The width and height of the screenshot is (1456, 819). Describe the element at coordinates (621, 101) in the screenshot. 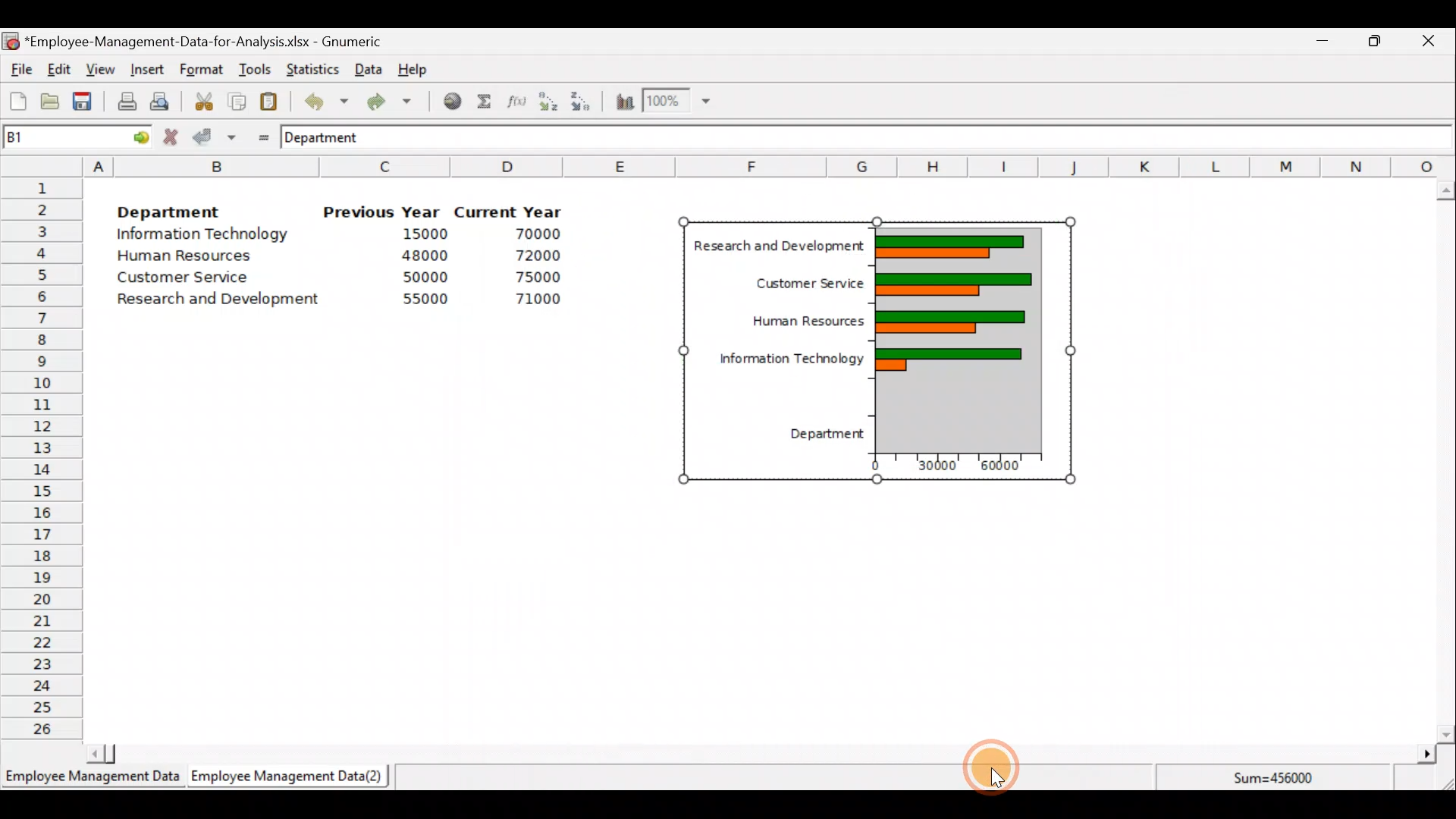

I see `Insert a chart` at that location.